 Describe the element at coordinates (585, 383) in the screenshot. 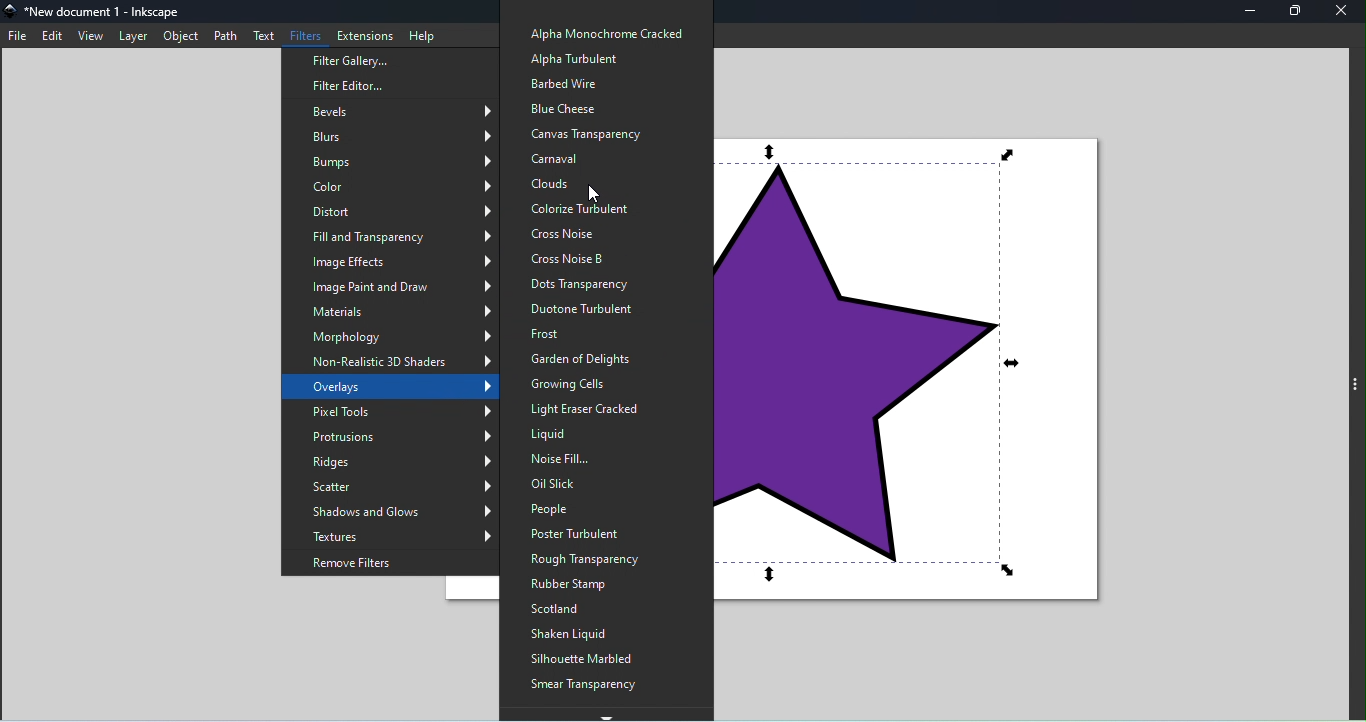

I see `Growing cells` at that location.